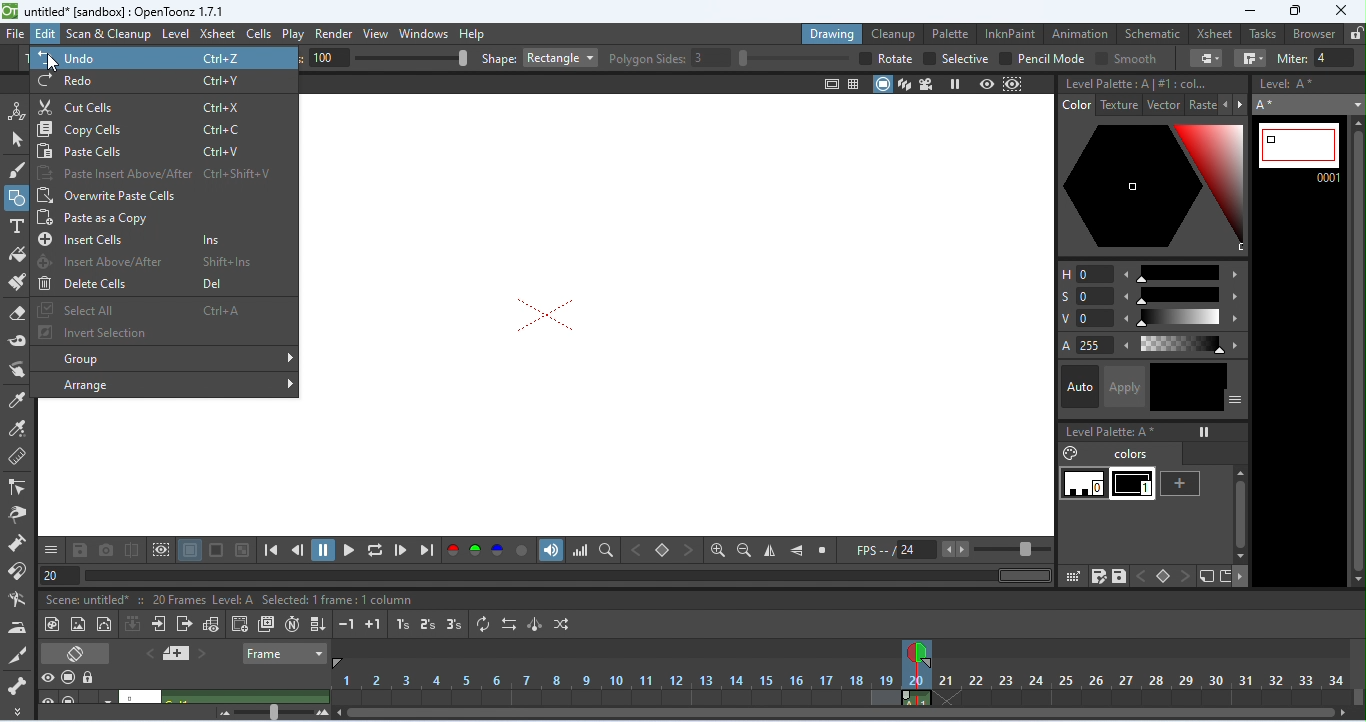  I want to click on lock toggle all, so click(91, 678).